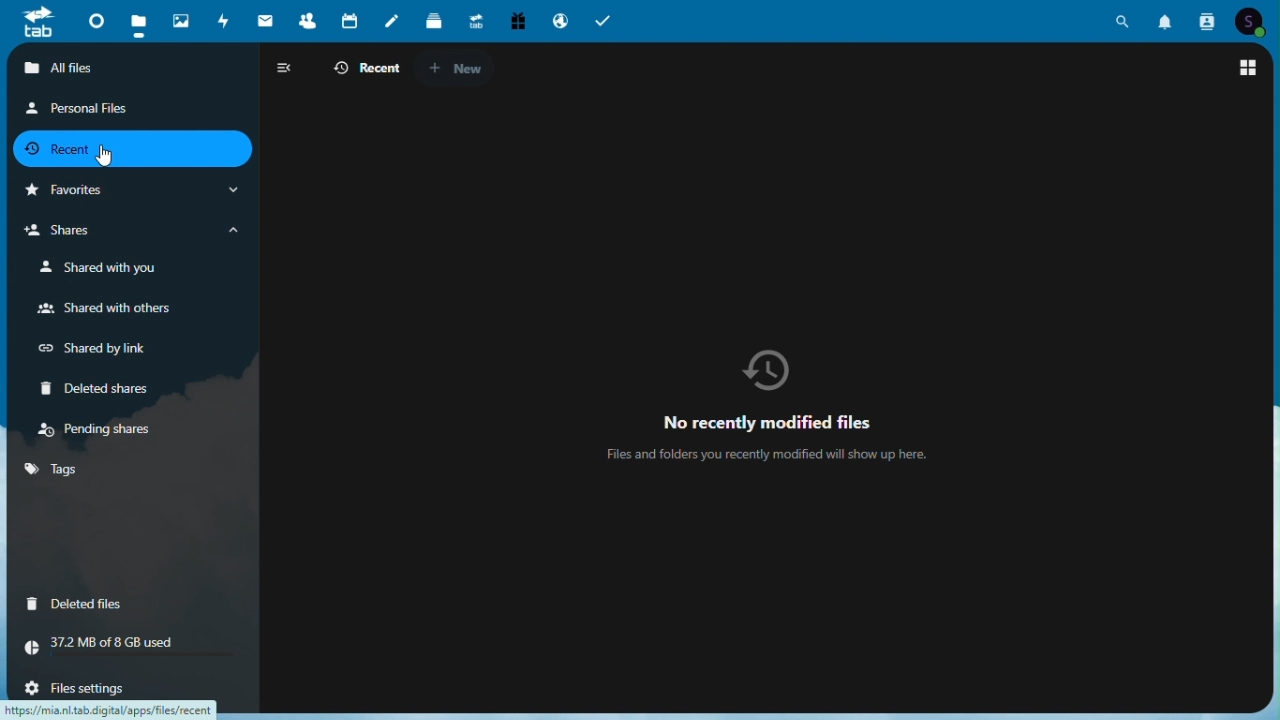 The image size is (1280, 720). I want to click on Deleted files, so click(75, 602).